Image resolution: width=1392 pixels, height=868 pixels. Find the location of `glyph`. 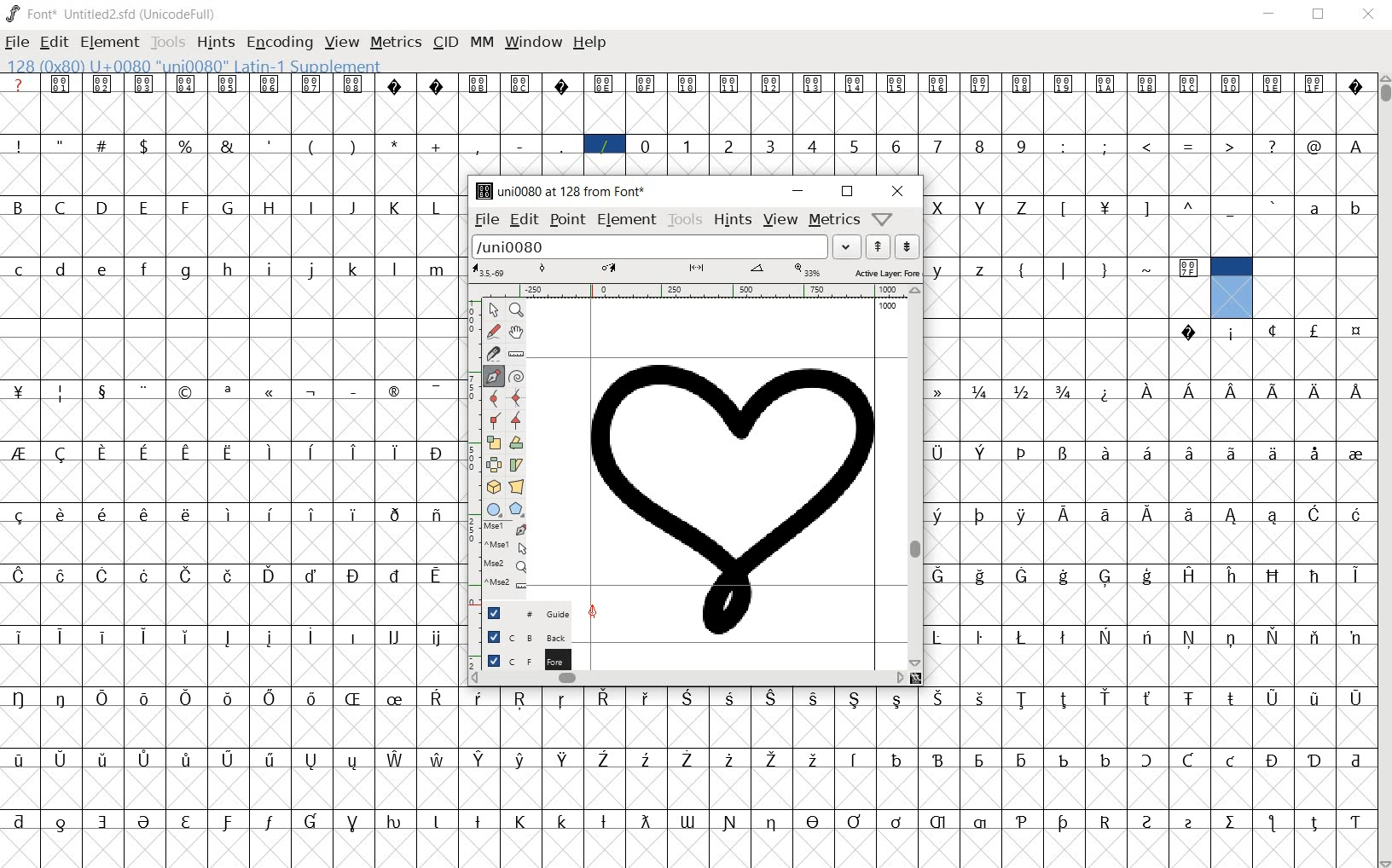

glyph is located at coordinates (1106, 394).